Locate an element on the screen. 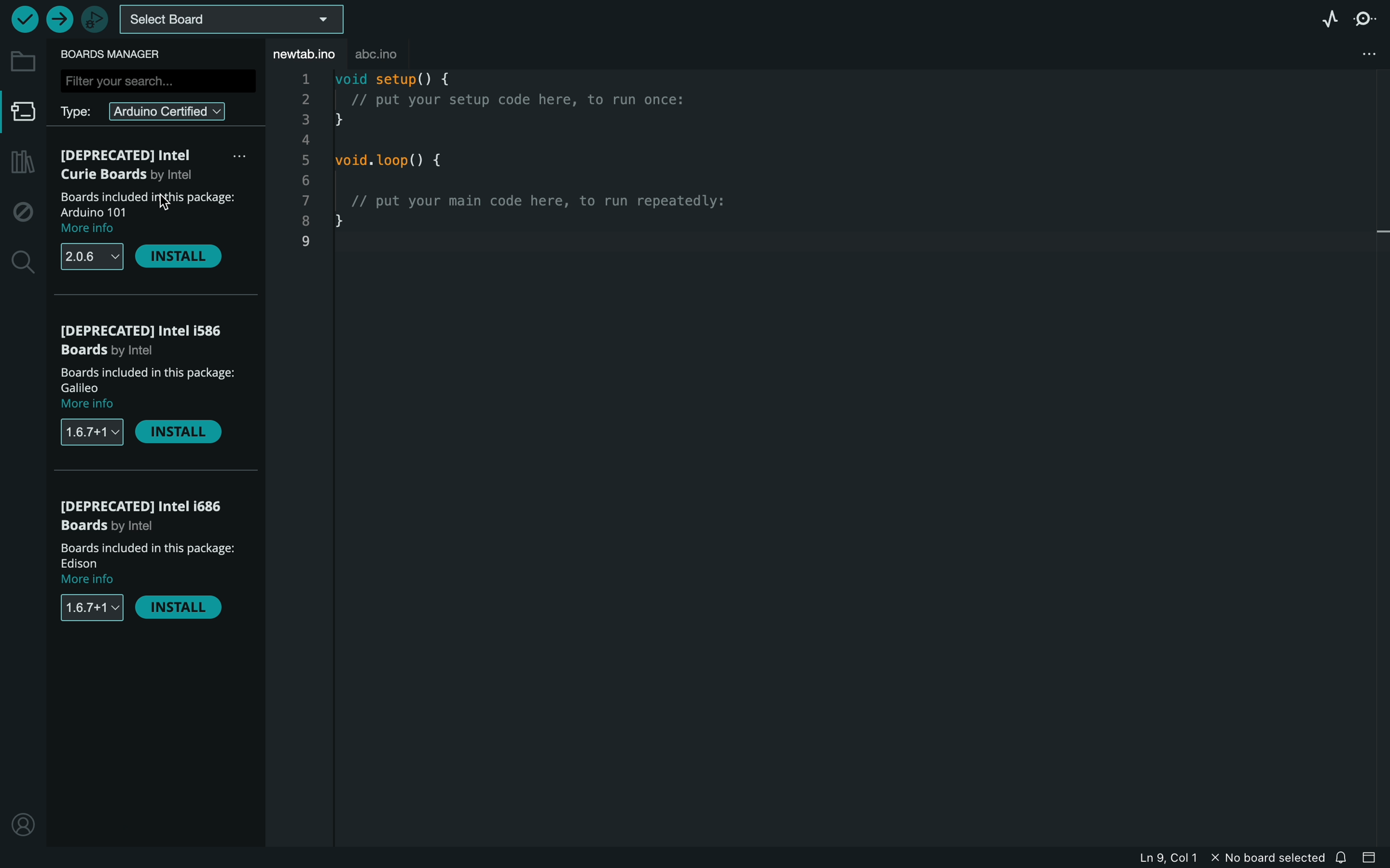 The width and height of the screenshot is (1390, 868). notification is located at coordinates (1343, 857).